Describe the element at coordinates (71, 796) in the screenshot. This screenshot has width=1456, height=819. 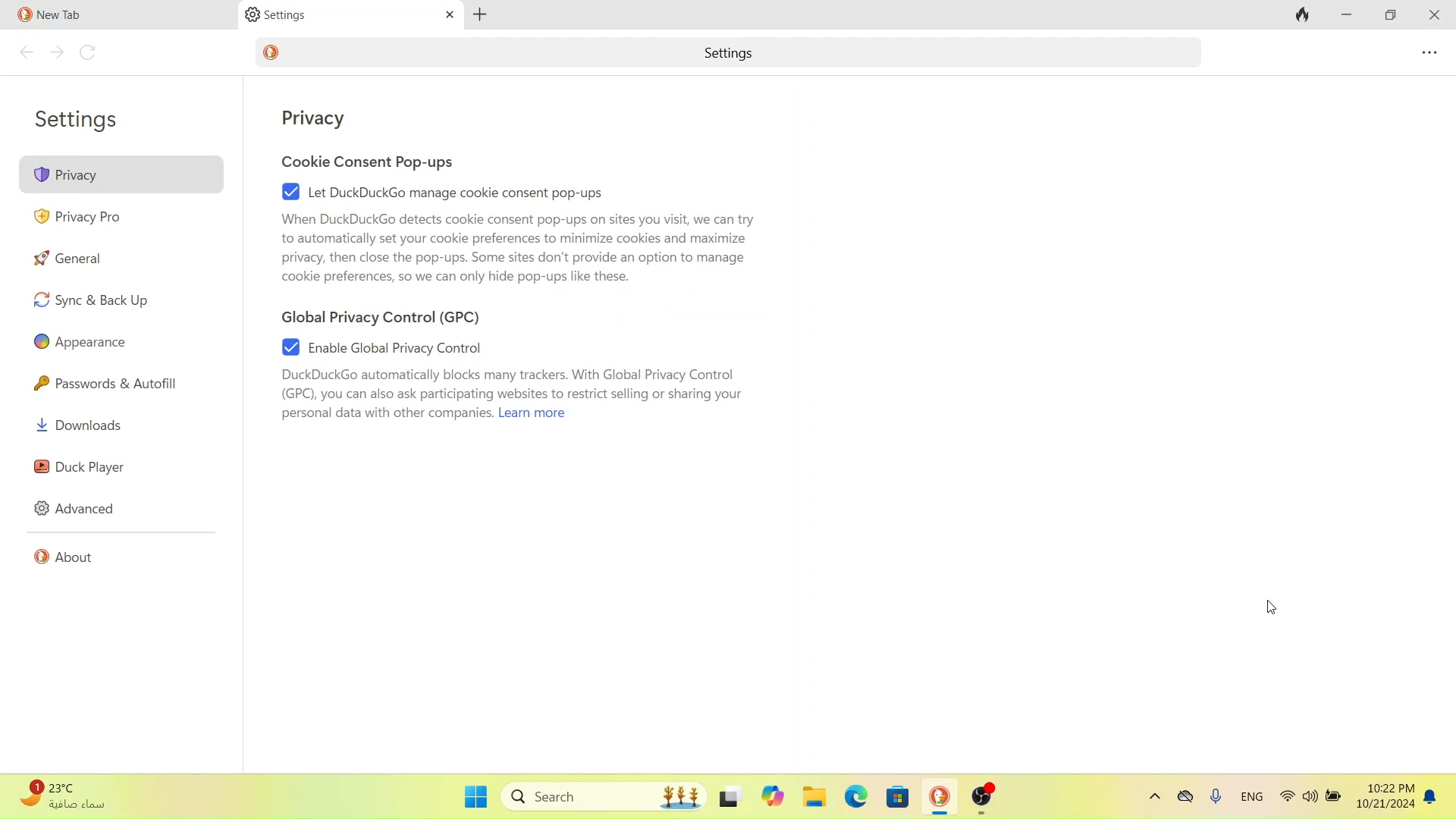
I see `weather data` at that location.